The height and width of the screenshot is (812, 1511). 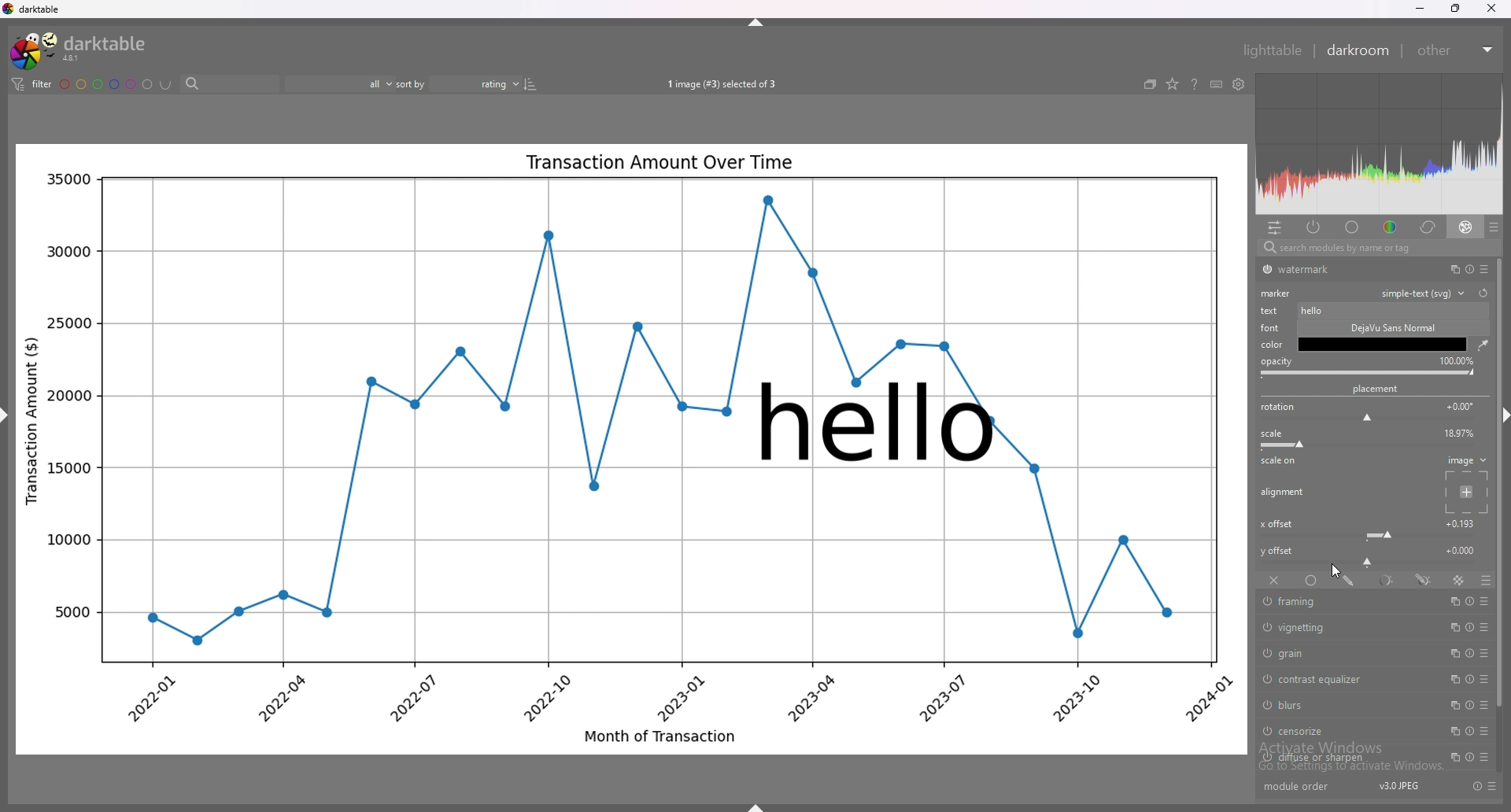 What do you see at coordinates (1368, 374) in the screenshot?
I see `opacity bar` at bounding box center [1368, 374].